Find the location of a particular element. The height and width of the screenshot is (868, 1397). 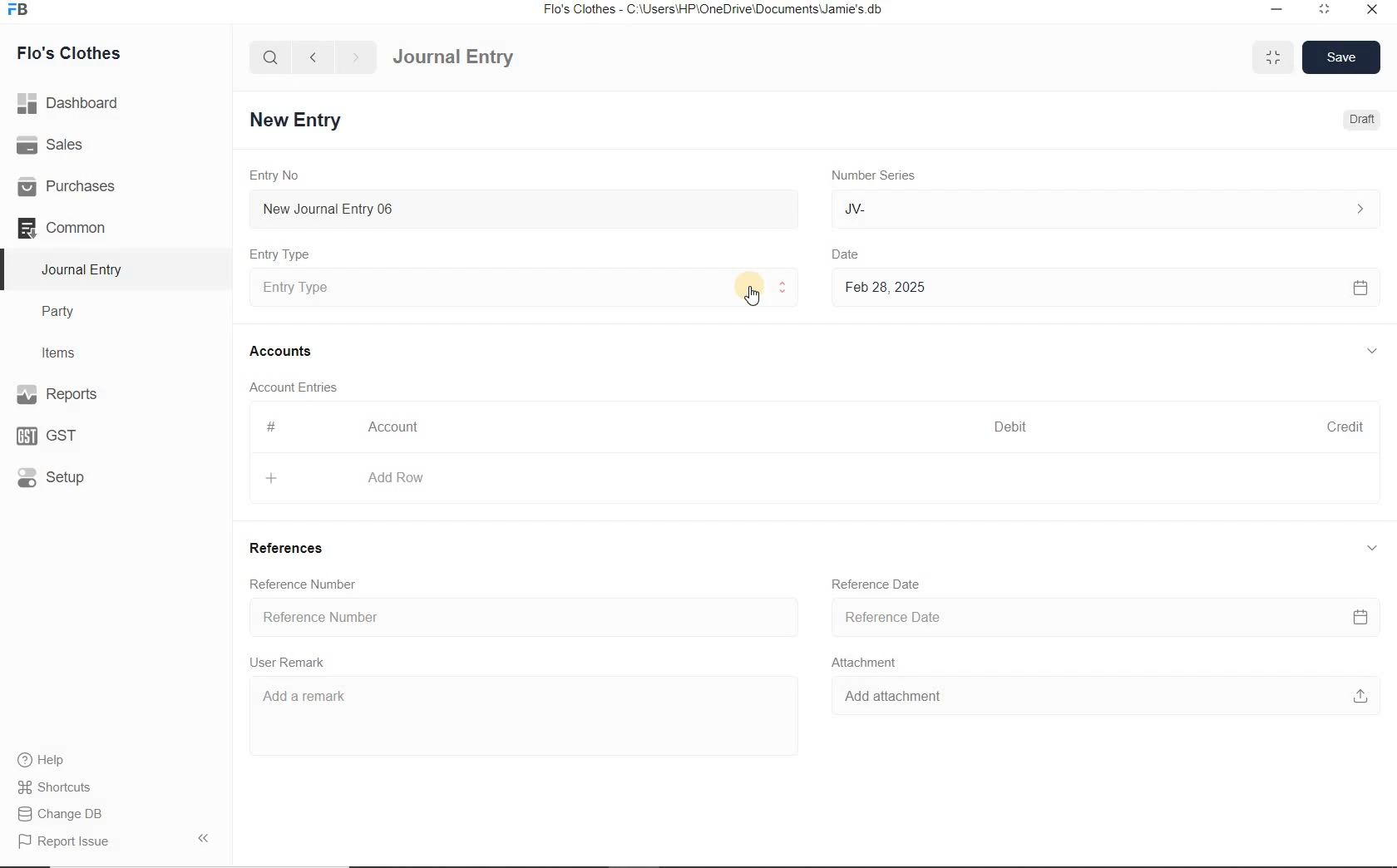

Credit is located at coordinates (1346, 427).